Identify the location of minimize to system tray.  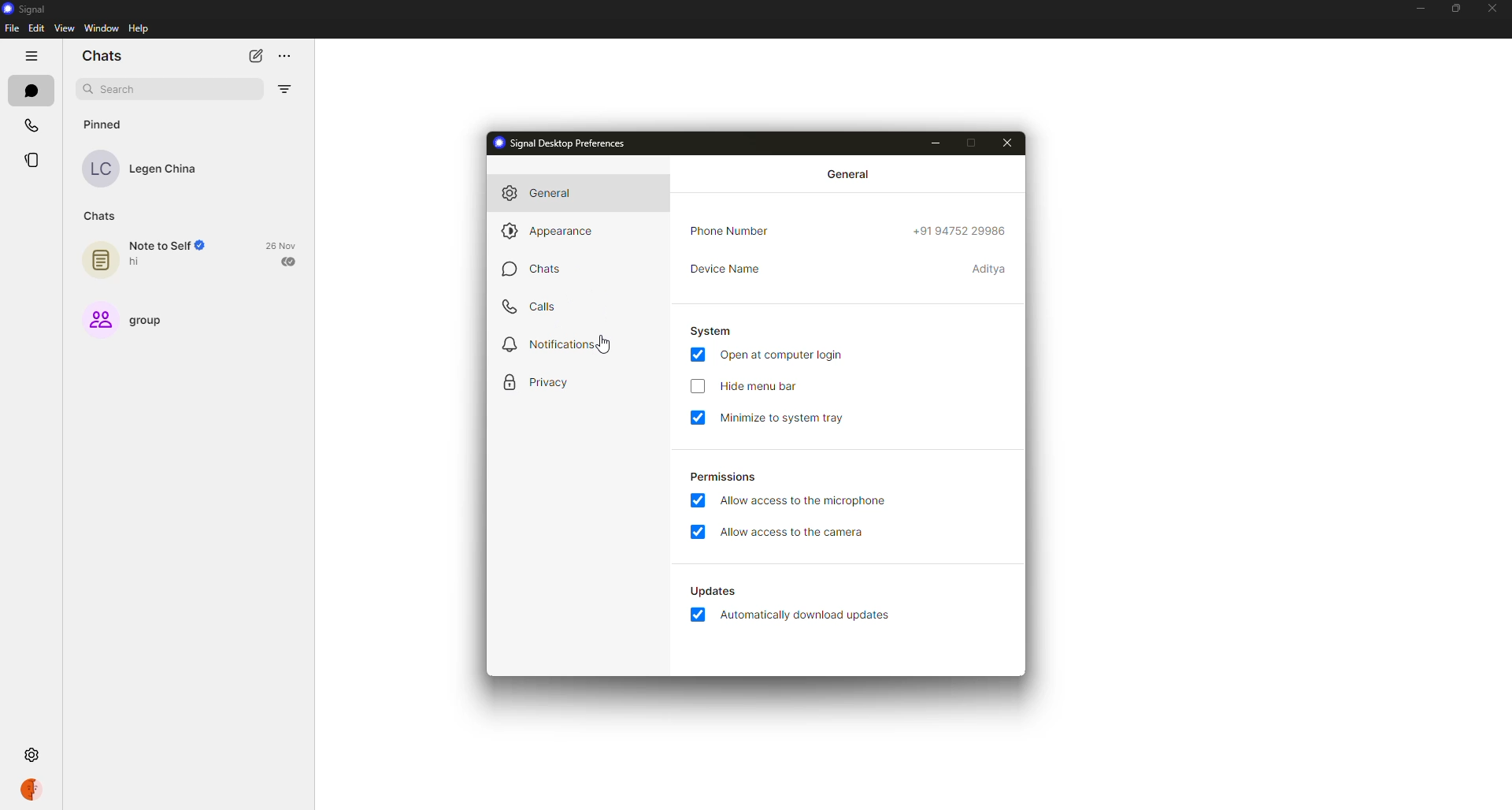
(790, 418).